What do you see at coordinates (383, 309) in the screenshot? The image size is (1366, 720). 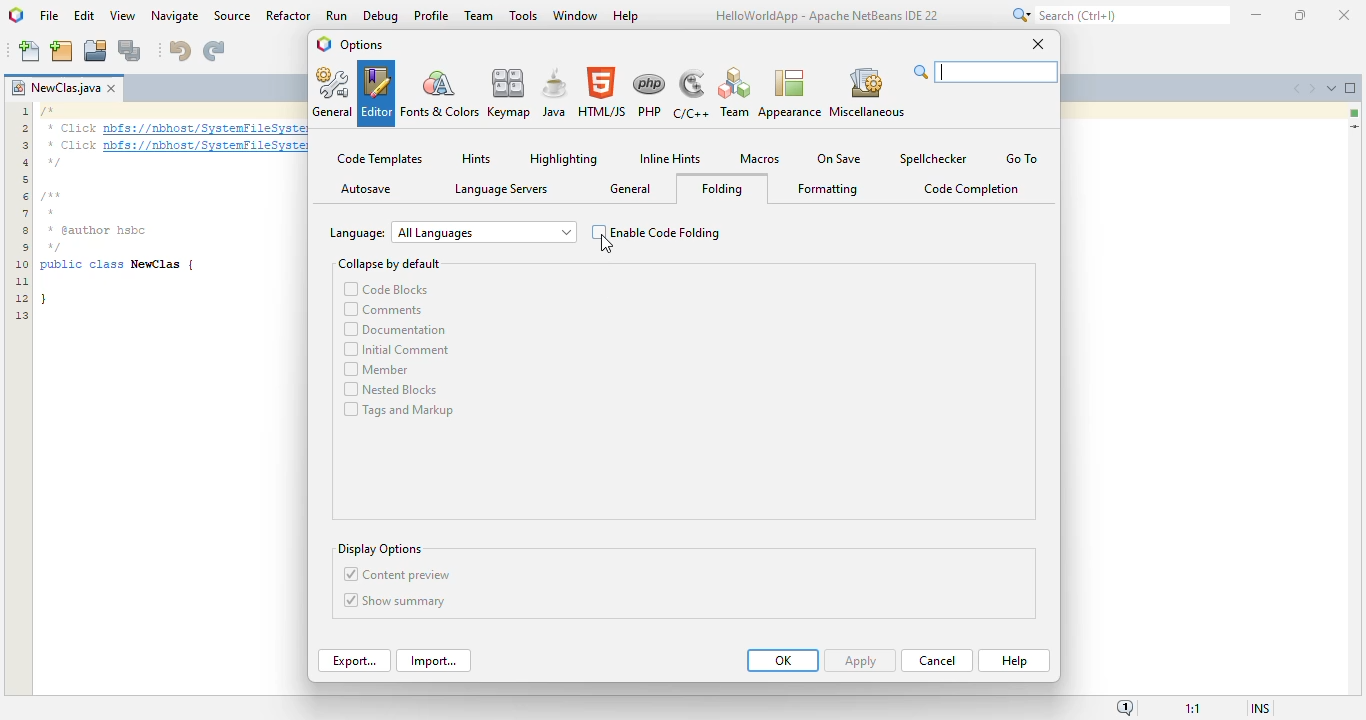 I see `comments` at bounding box center [383, 309].